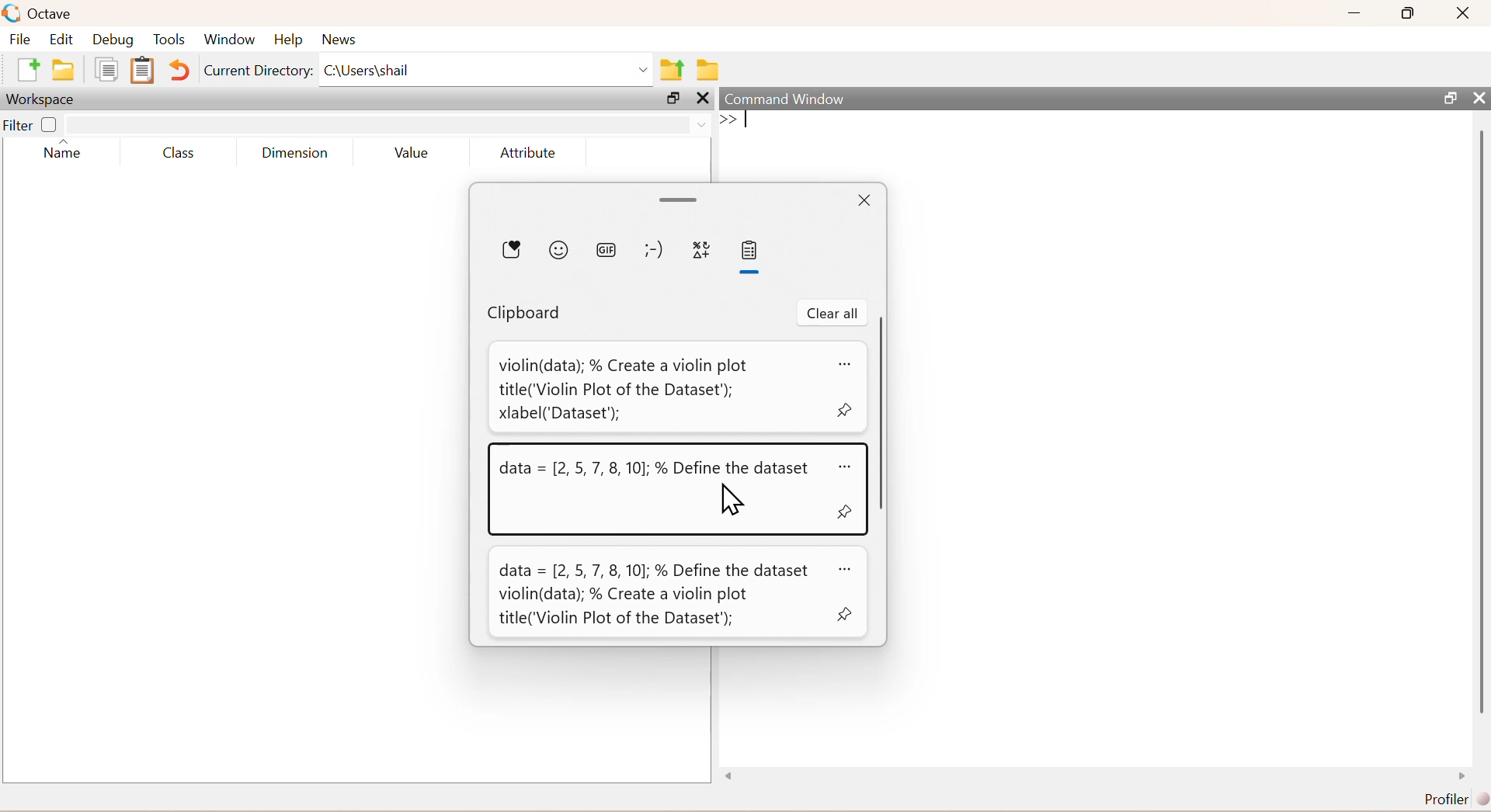  I want to click on logo, so click(13, 13).